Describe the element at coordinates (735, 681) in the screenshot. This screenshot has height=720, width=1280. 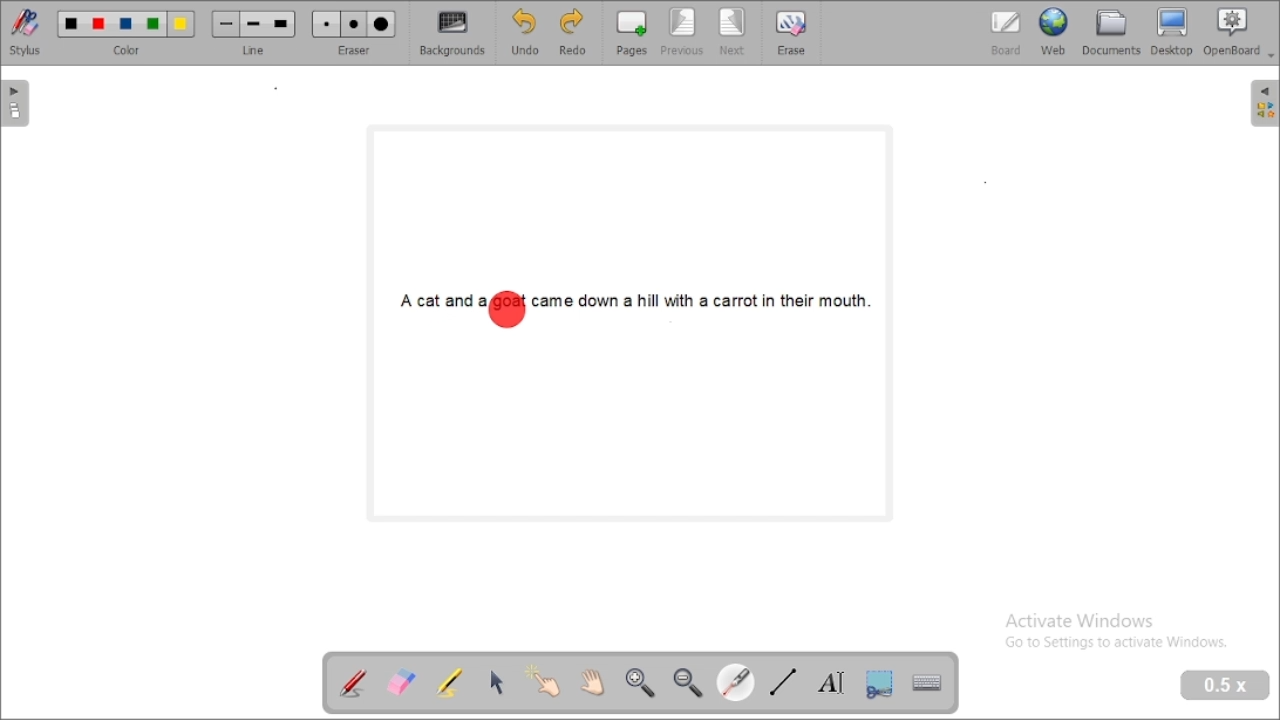
I see `visual laser pointer` at that location.